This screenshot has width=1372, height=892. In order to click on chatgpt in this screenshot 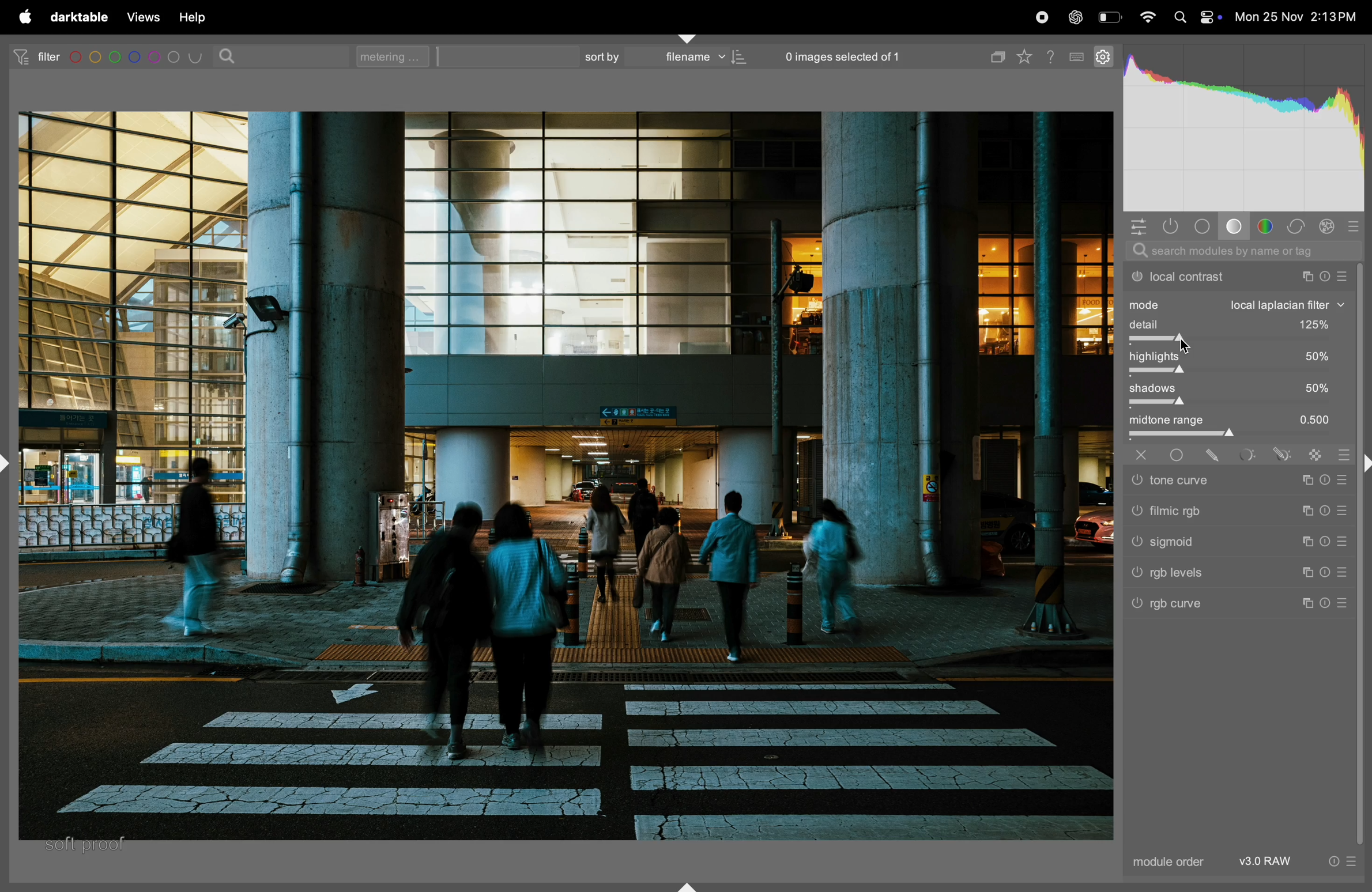, I will do `click(1075, 16)`.